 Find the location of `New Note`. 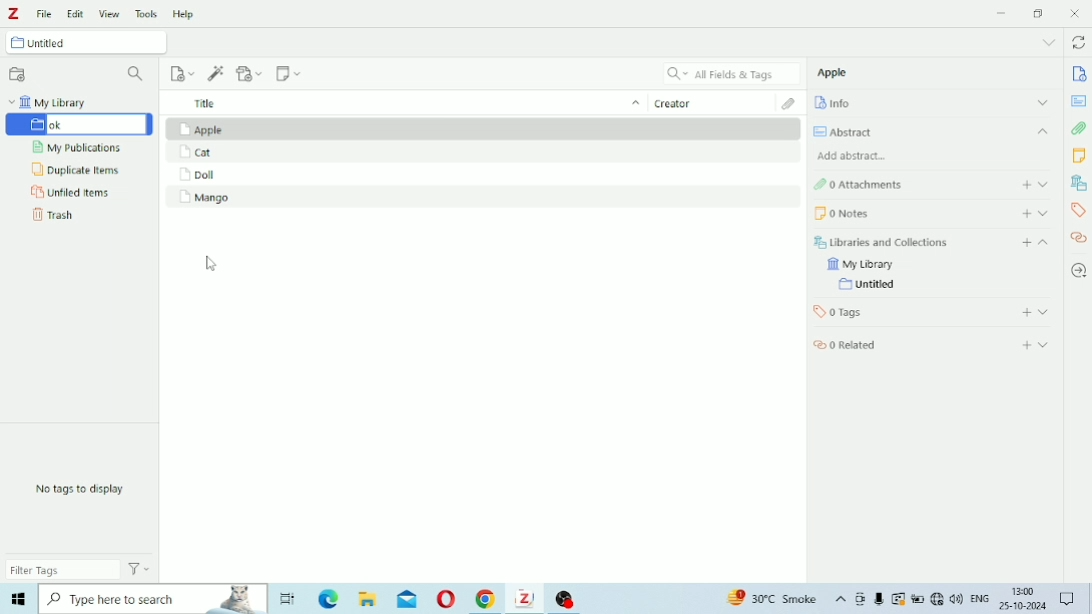

New Note is located at coordinates (289, 72).